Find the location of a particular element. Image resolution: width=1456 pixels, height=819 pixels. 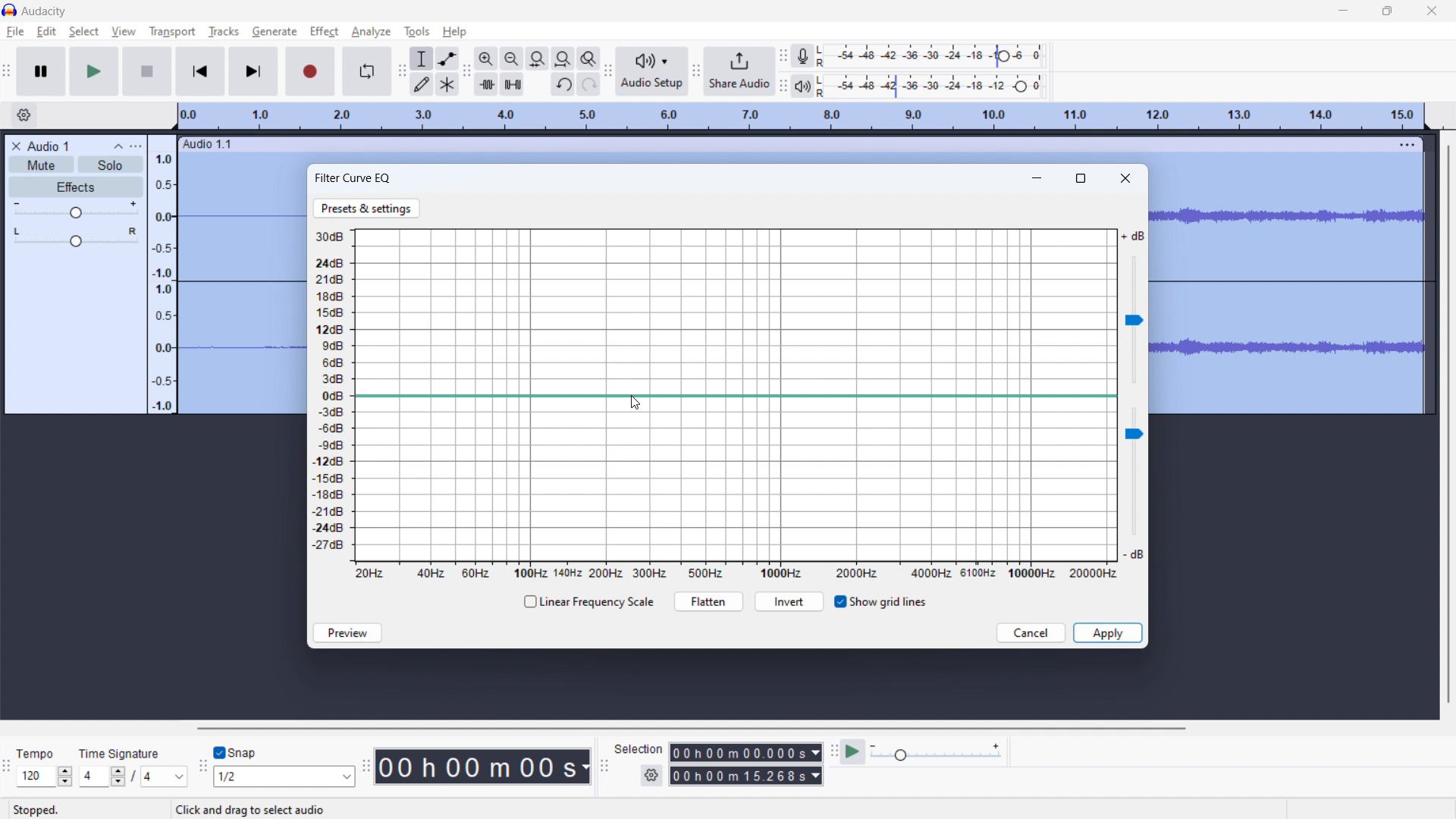

silence audio selection is located at coordinates (513, 84).